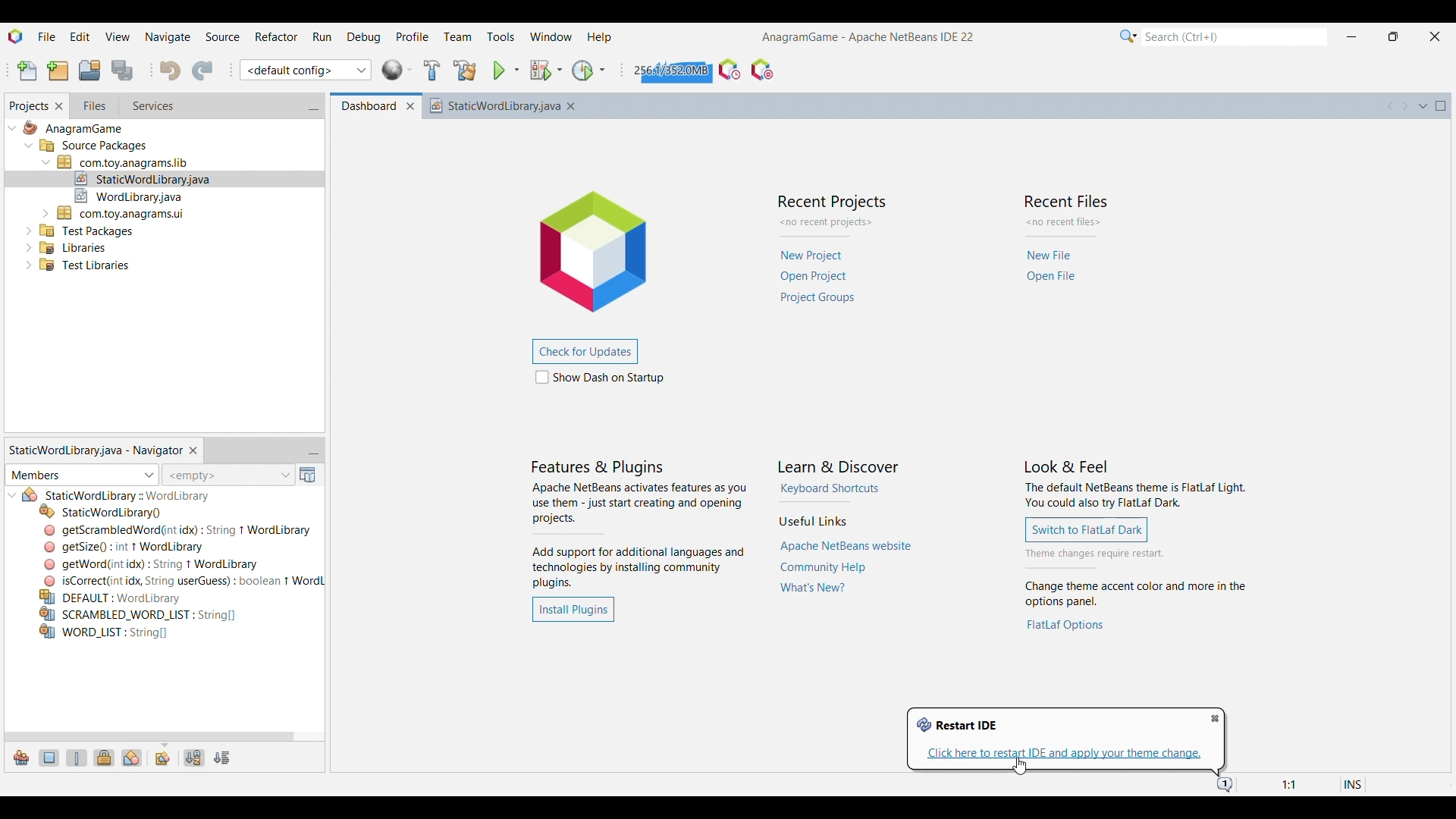 The height and width of the screenshot is (819, 1456). Describe the element at coordinates (413, 36) in the screenshot. I see `Profile menu` at that location.